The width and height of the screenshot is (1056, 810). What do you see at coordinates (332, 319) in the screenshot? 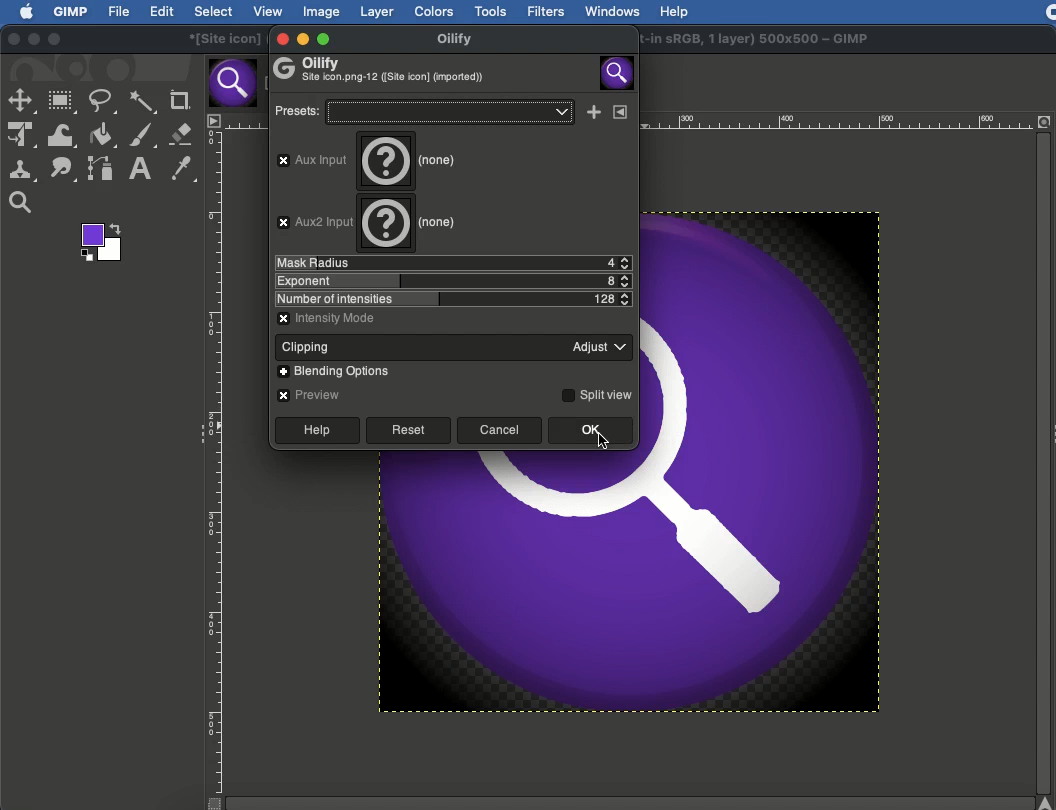
I see `Intensity mode` at bounding box center [332, 319].